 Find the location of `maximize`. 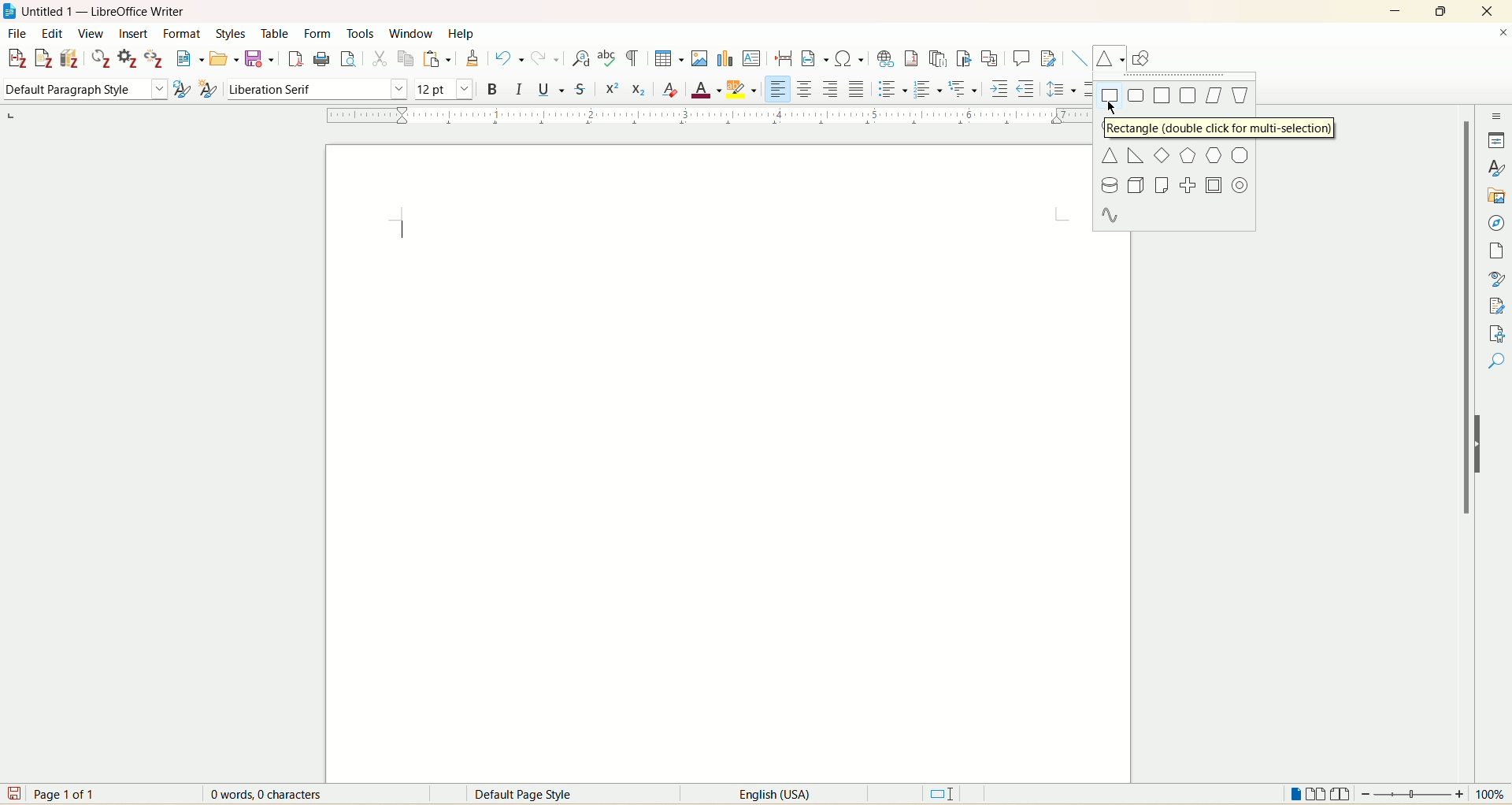

maximize is located at coordinates (1444, 10).